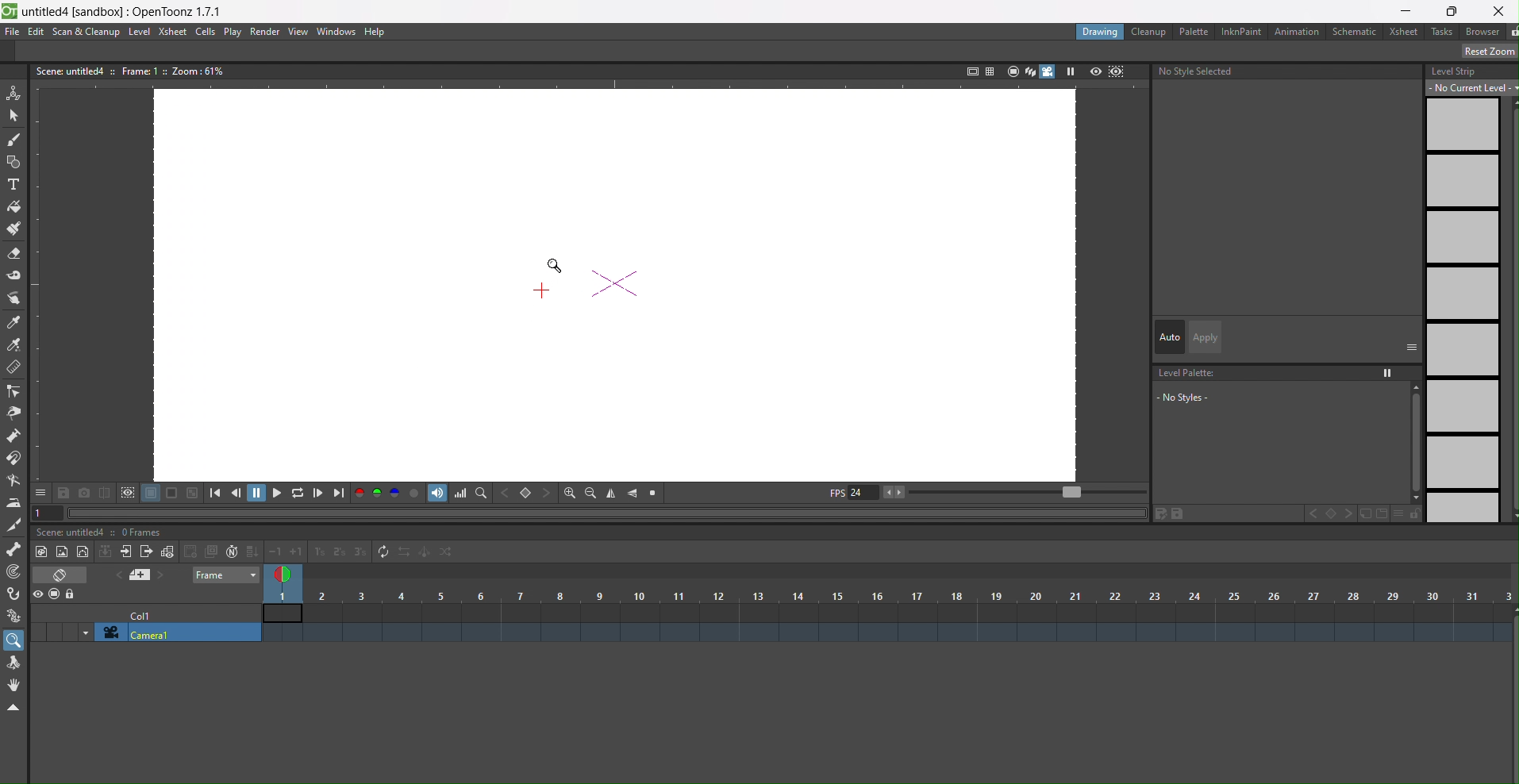 The width and height of the screenshot is (1519, 784). What do you see at coordinates (382, 553) in the screenshot?
I see `refresh` at bounding box center [382, 553].